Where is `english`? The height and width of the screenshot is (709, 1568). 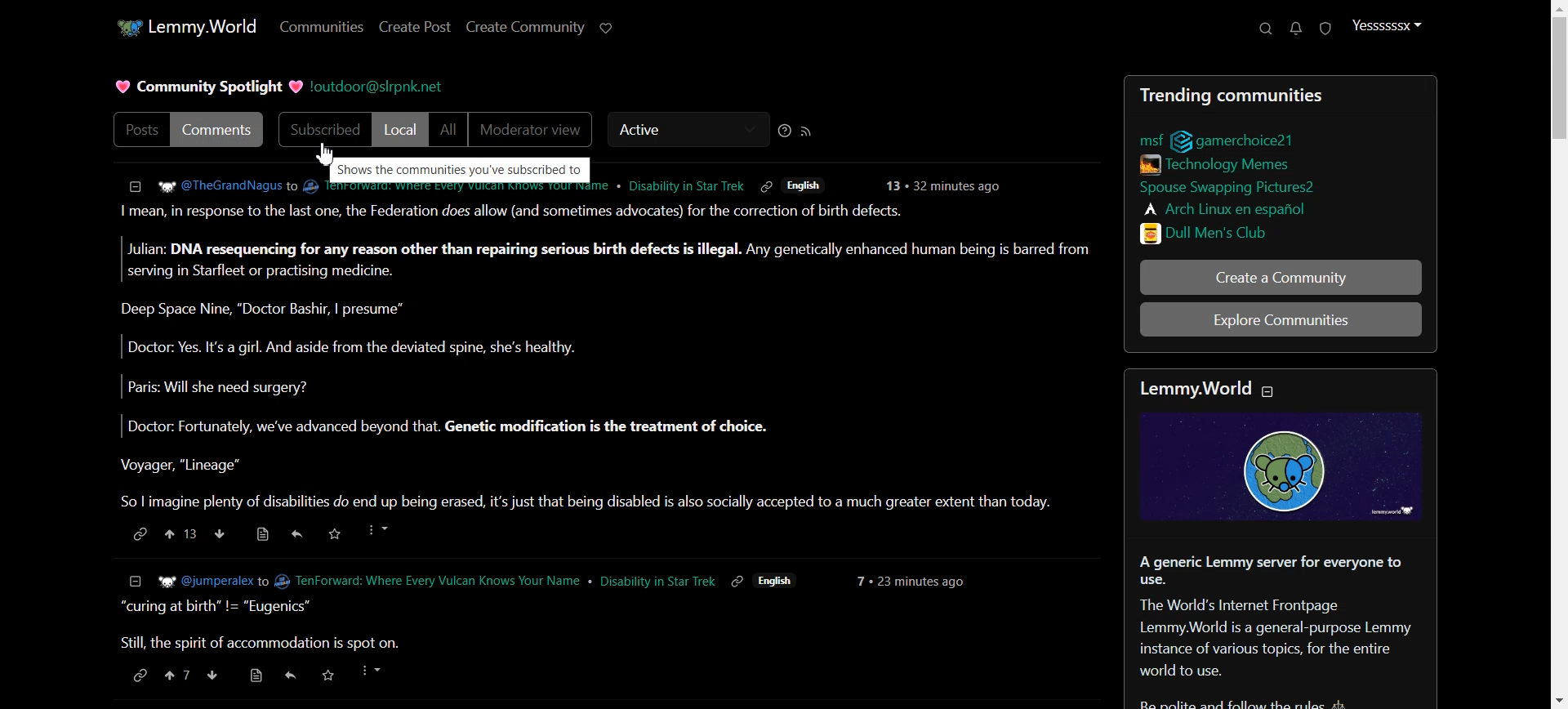
english is located at coordinates (811, 185).